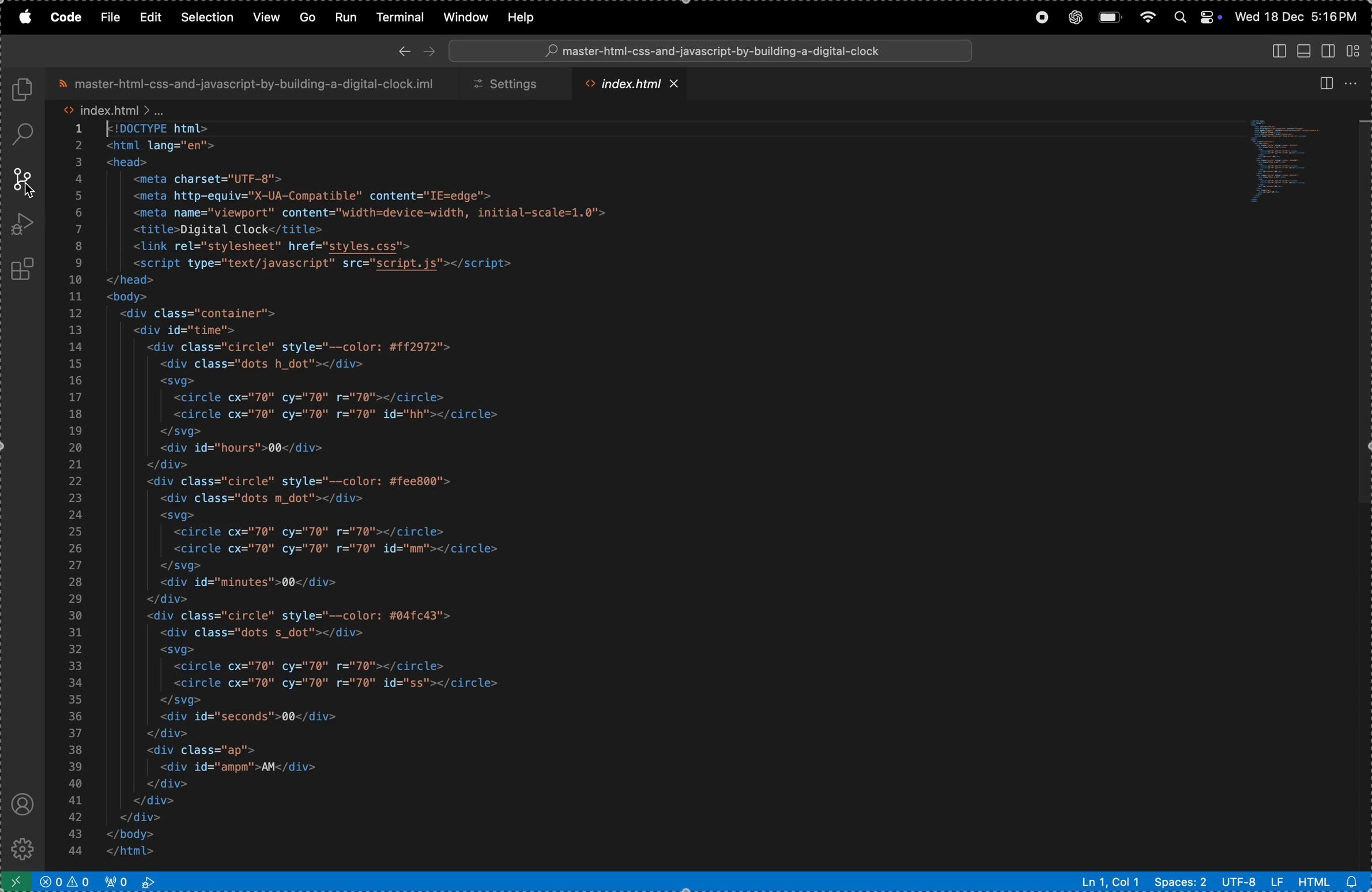  What do you see at coordinates (167, 464) in the screenshot?
I see `</div>` at bounding box center [167, 464].